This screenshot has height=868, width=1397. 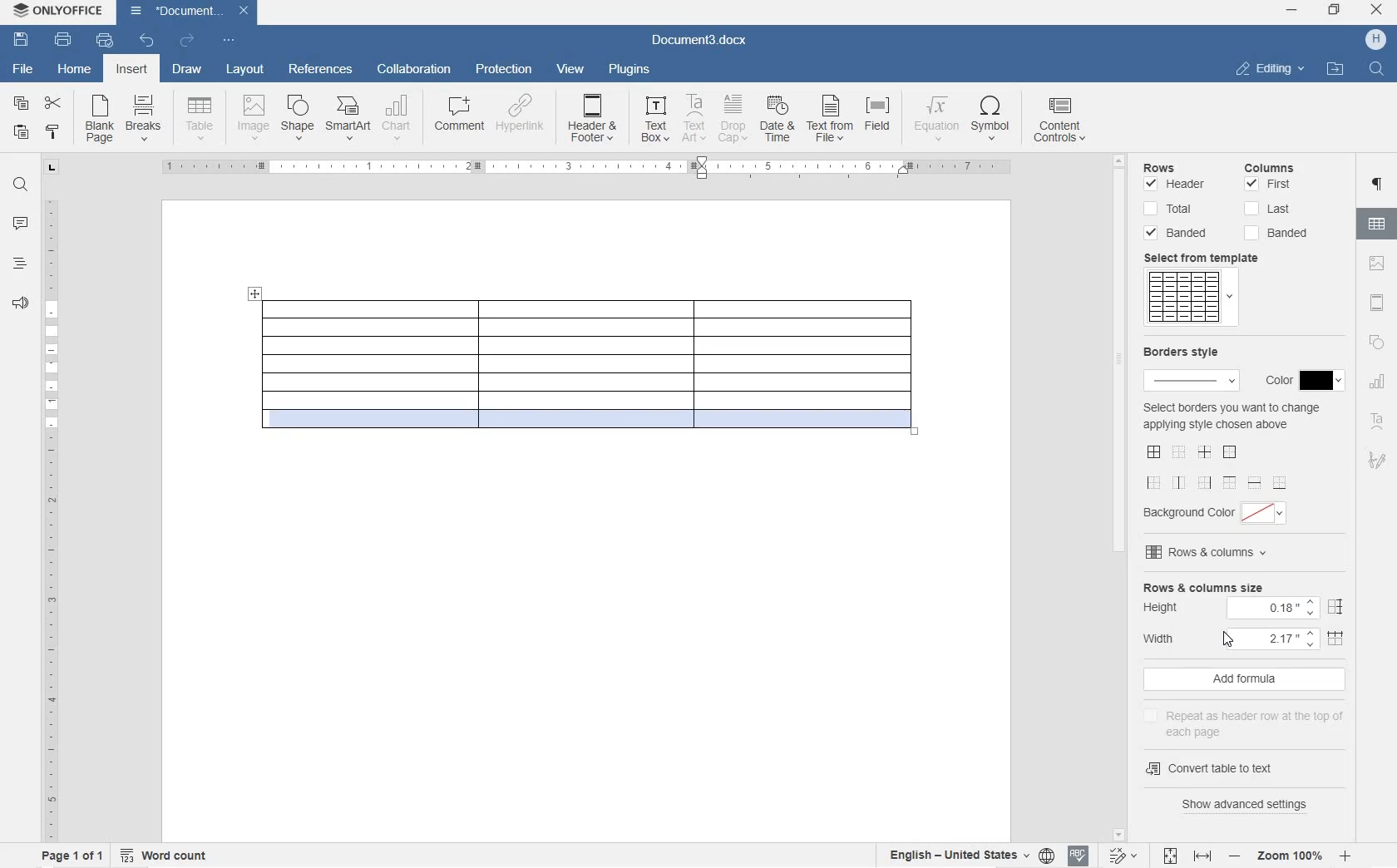 I want to click on COPY, so click(x=22, y=102).